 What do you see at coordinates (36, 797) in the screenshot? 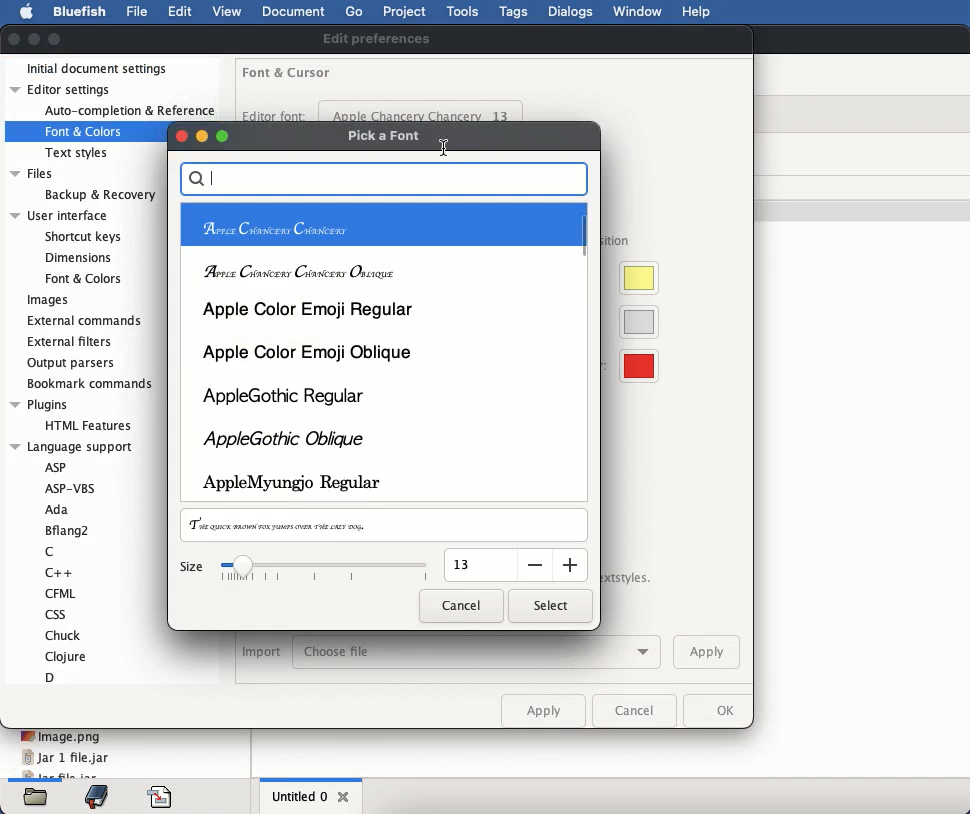
I see `files` at bounding box center [36, 797].